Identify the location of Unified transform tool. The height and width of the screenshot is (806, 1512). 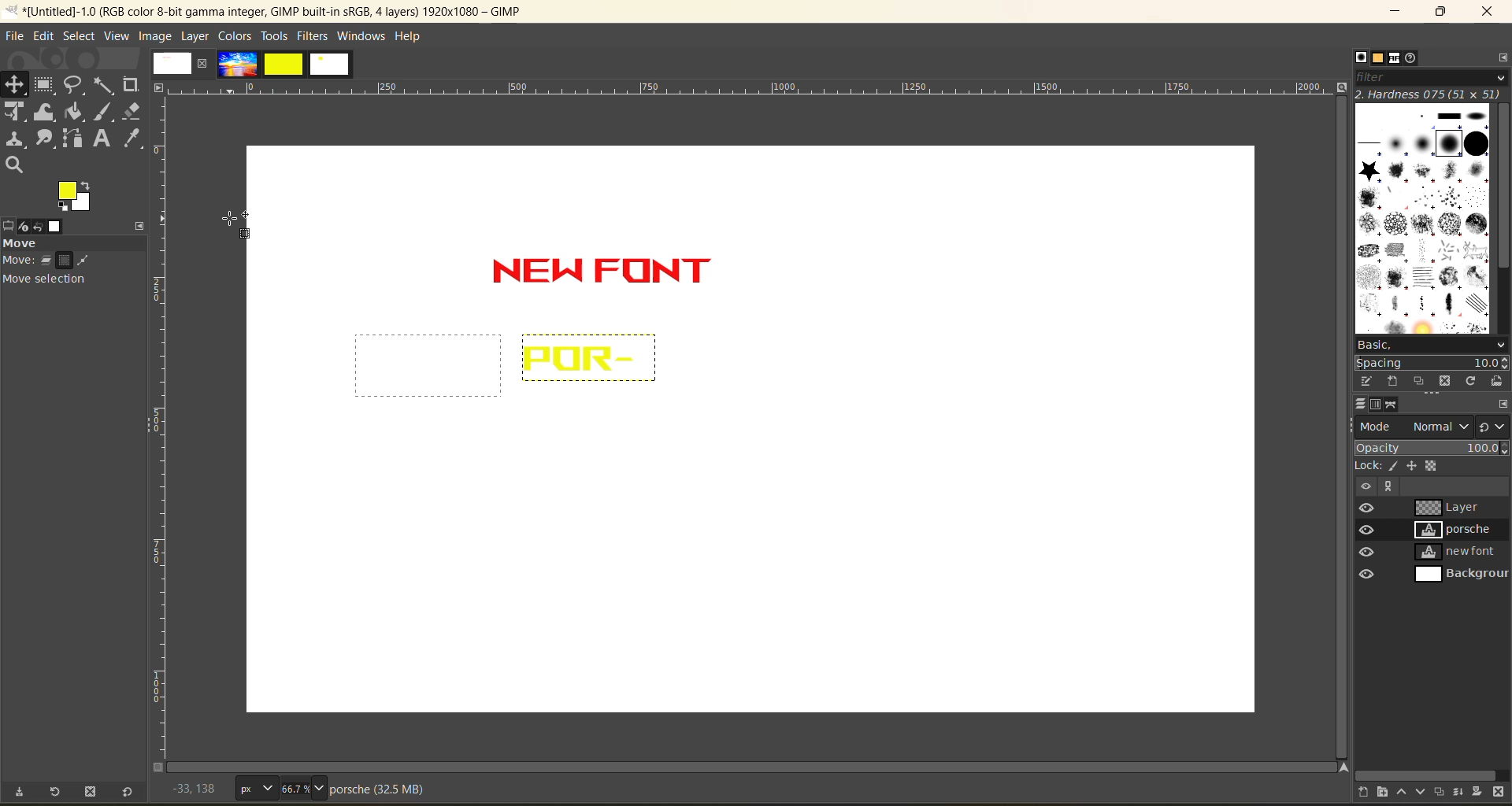
(14, 113).